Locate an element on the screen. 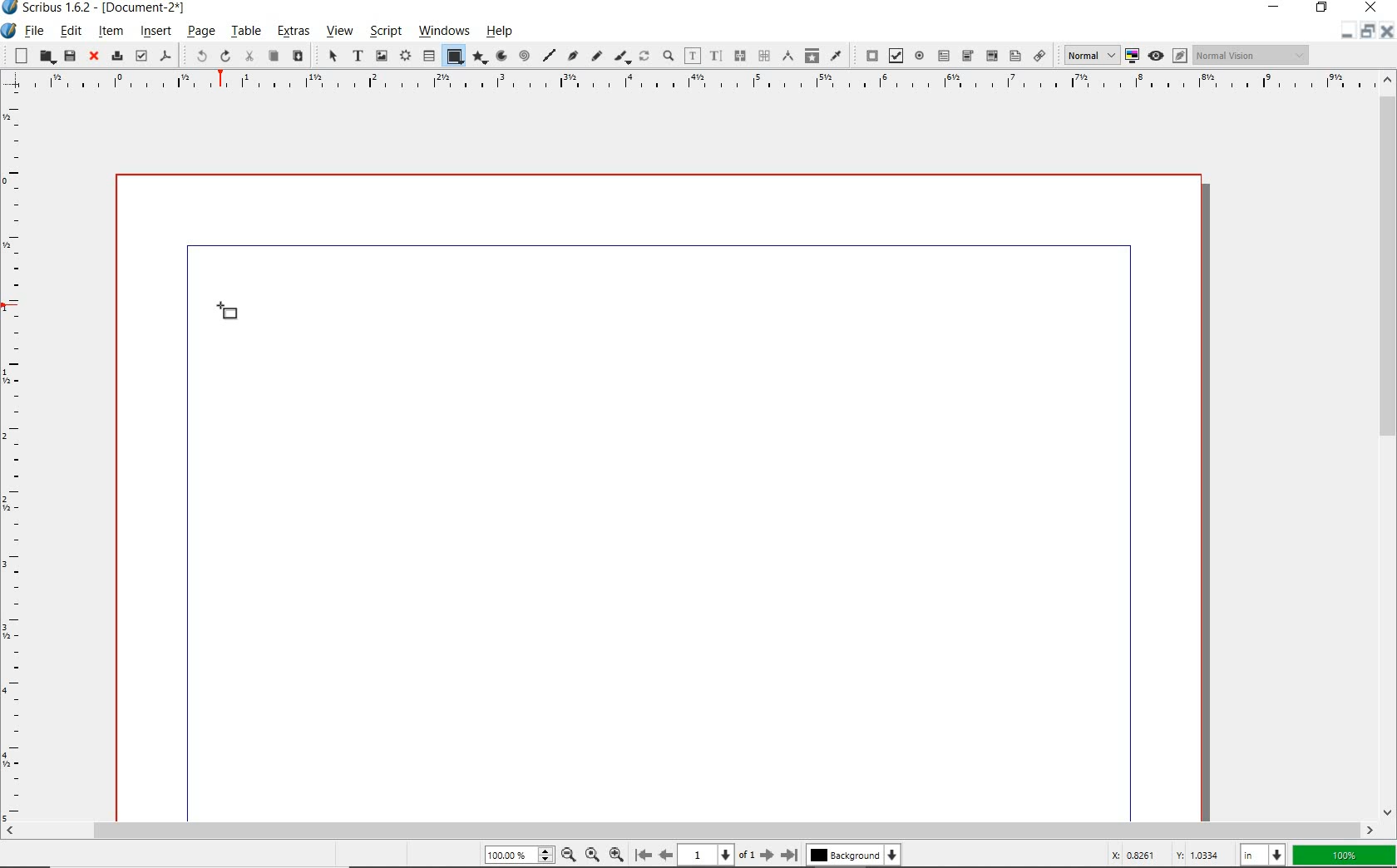 The image size is (1397, 868). close is located at coordinates (95, 57).